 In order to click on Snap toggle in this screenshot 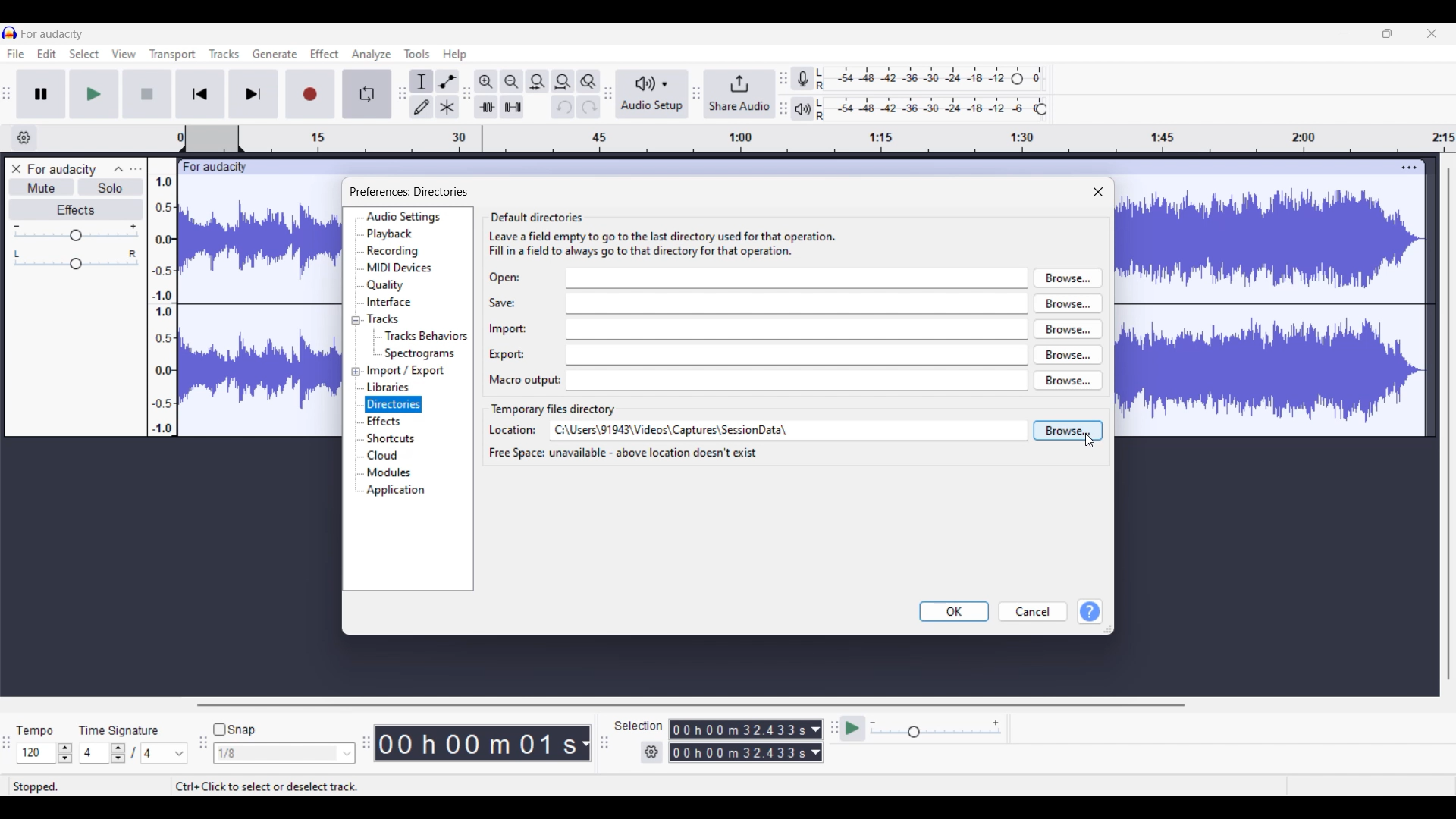, I will do `click(235, 730)`.